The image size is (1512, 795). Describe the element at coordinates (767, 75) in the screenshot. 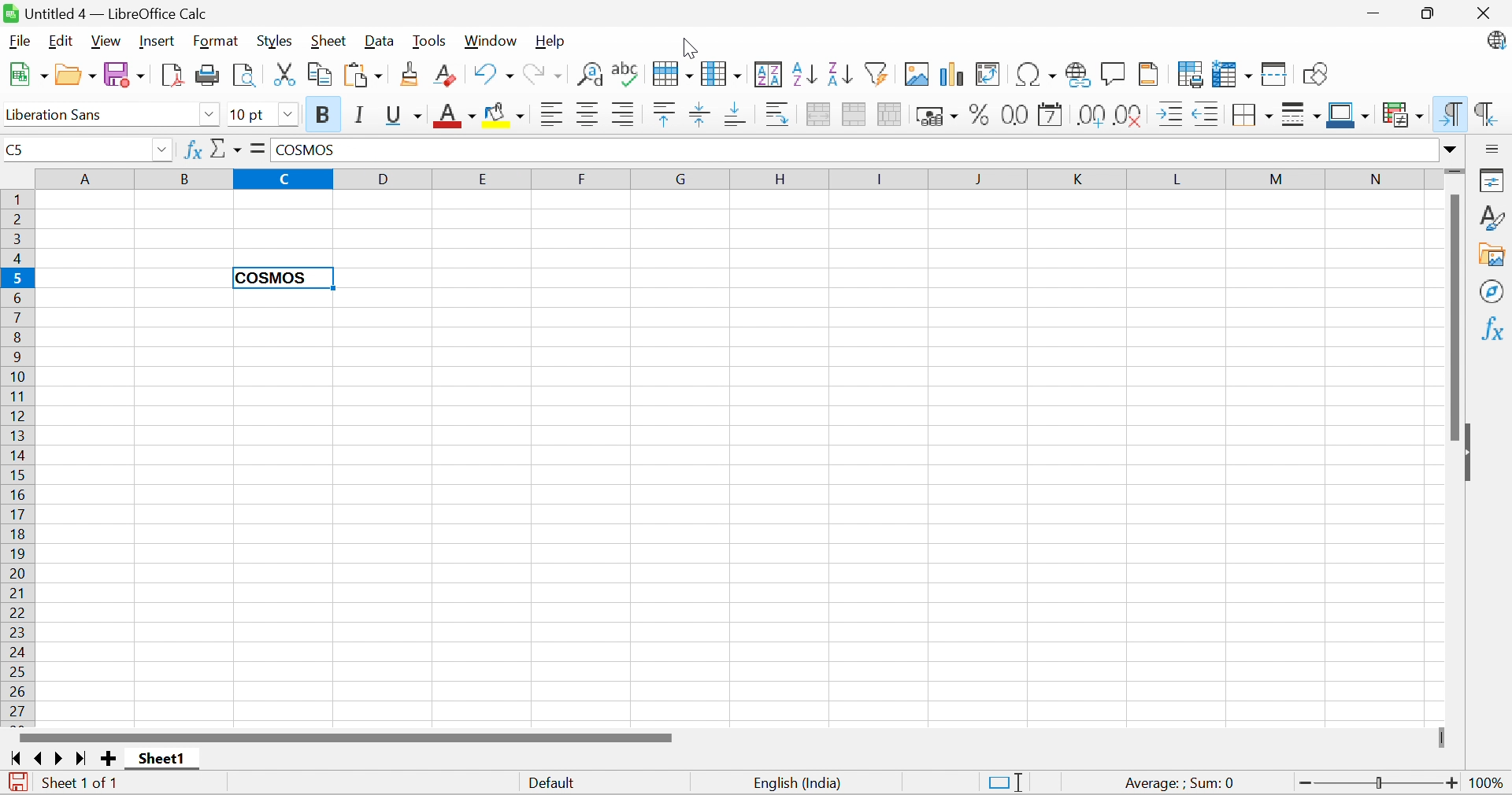

I see `Sort` at that location.